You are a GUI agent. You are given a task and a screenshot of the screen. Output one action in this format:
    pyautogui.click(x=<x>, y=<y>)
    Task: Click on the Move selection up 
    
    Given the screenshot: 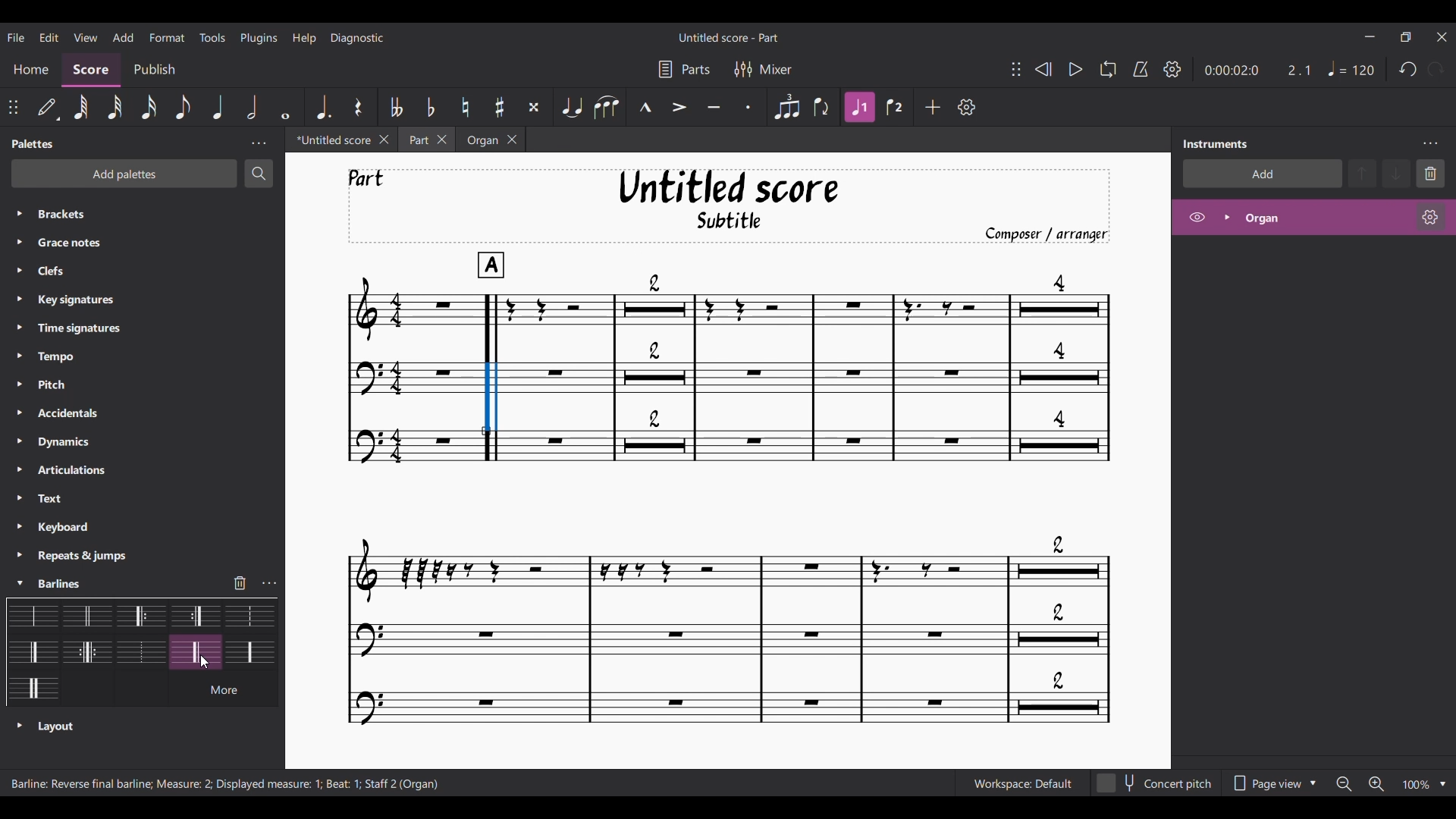 What is the action you would take?
    pyautogui.click(x=1362, y=173)
    